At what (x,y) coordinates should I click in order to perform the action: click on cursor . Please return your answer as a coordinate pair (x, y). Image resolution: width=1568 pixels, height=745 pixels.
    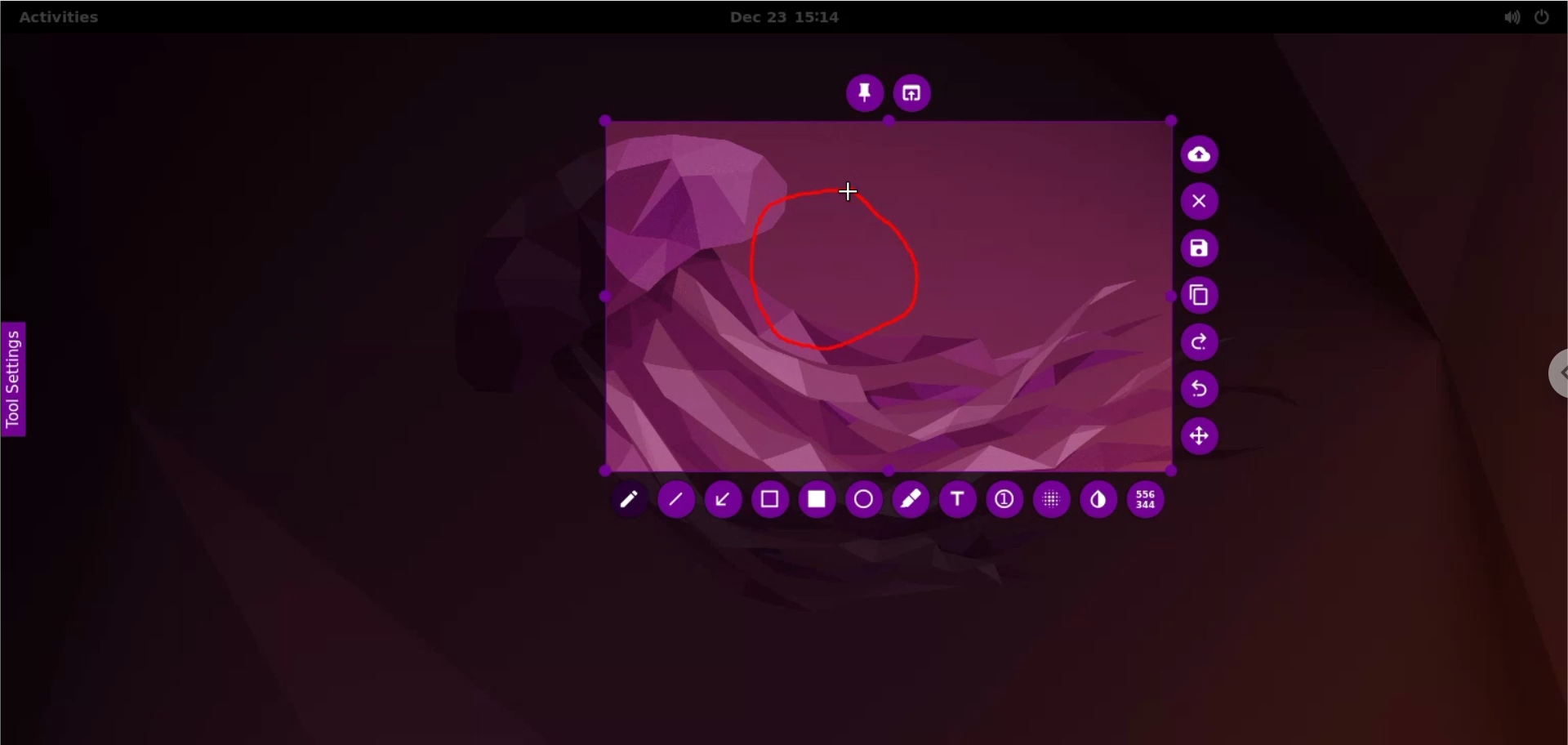
    Looking at the image, I should click on (849, 190).